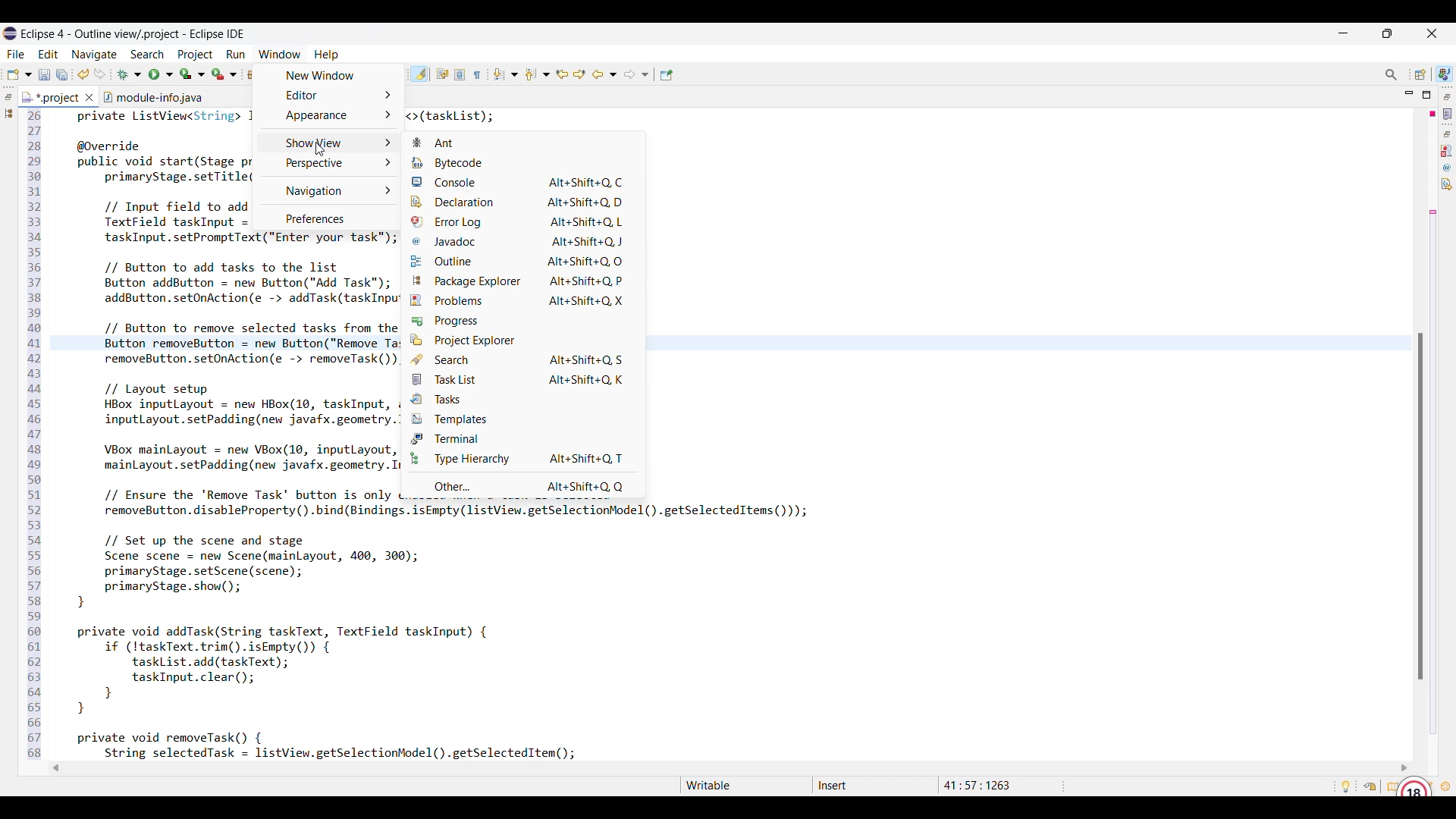 The height and width of the screenshot is (819, 1456). Describe the element at coordinates (522, 458) in the screenshot. I see `Type hierarchy` at that location.